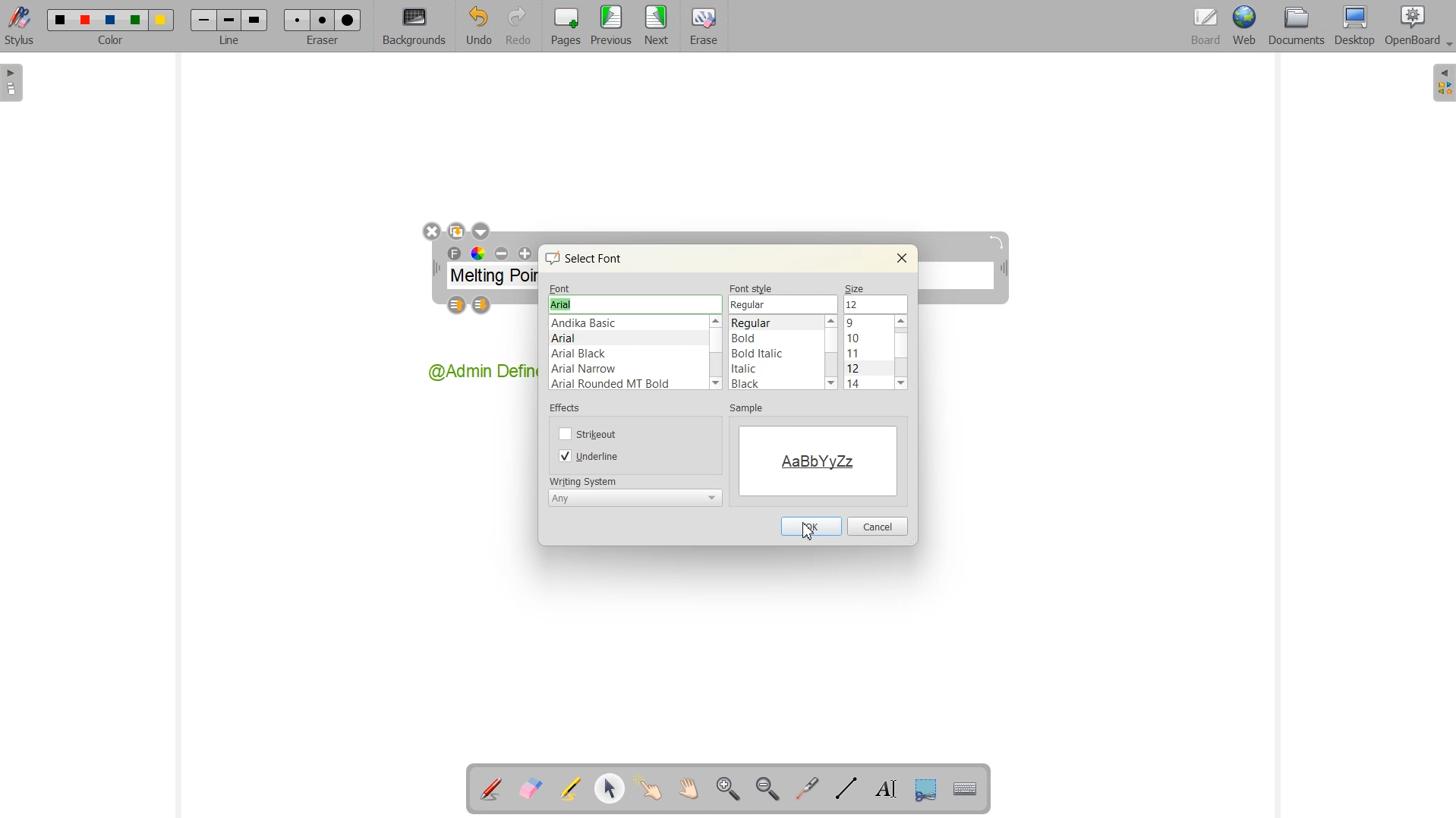 The width and height of the screenshot is (1456, 818). What do you see at coordinates (481, 373) in the screenshot?
I see `@Admin Define task Melting point` at bounding box center [481, 373].